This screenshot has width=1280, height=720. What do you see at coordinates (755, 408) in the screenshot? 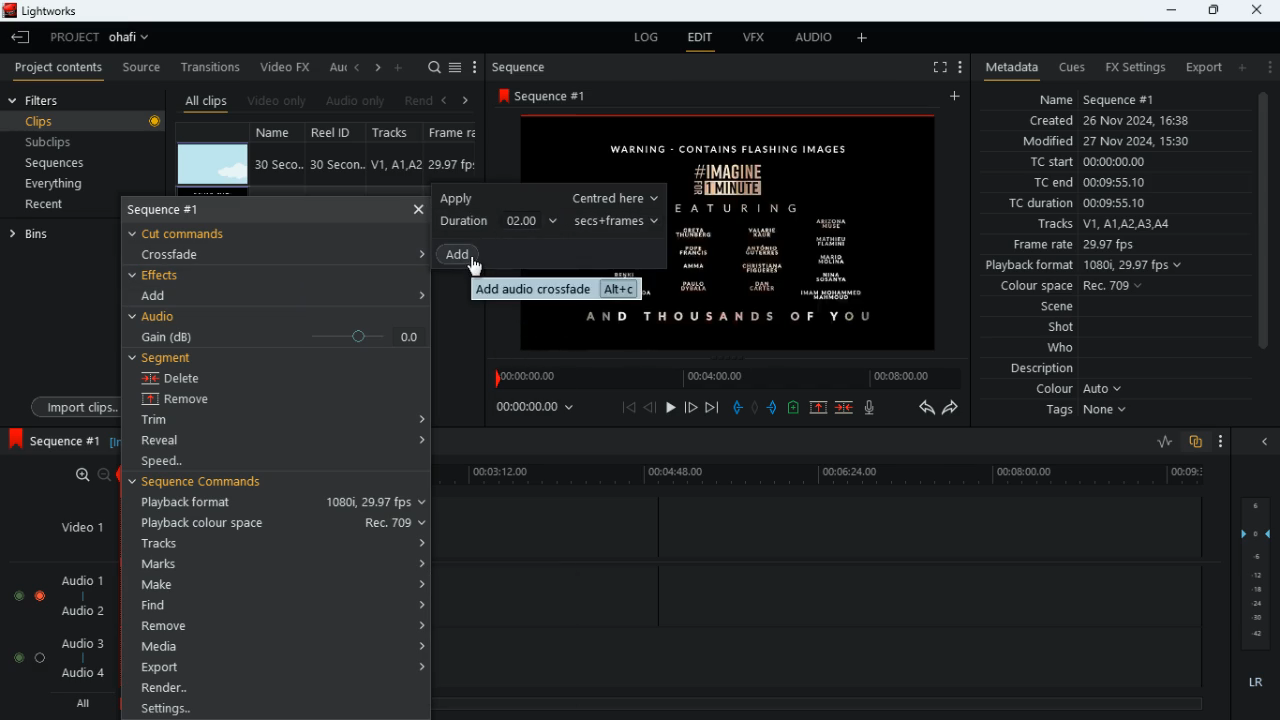
I see `hold` at bounding box center [755, 408].